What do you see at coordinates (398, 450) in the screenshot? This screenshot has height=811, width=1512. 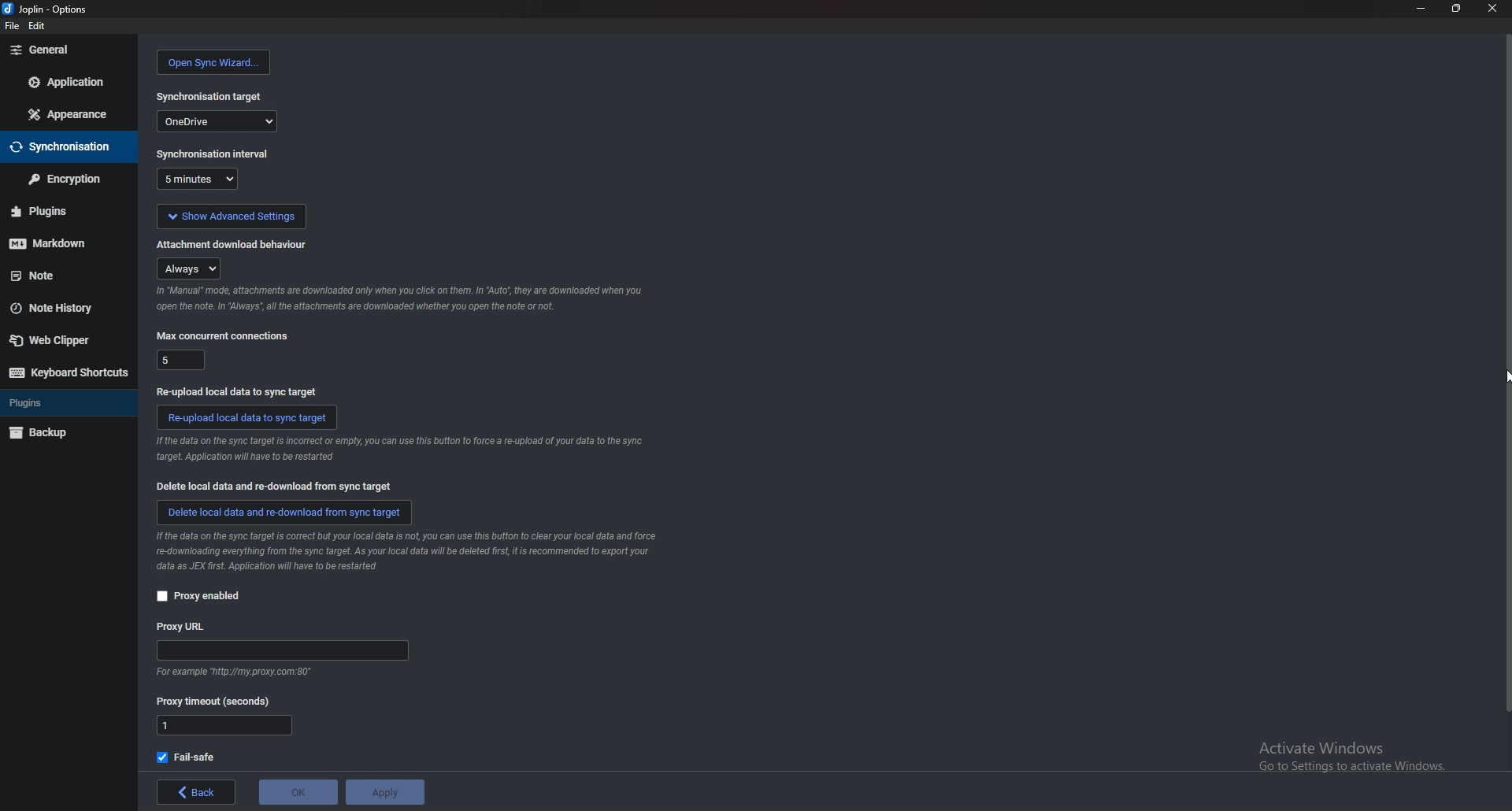 I see `info` at bounding box center [398, 450].